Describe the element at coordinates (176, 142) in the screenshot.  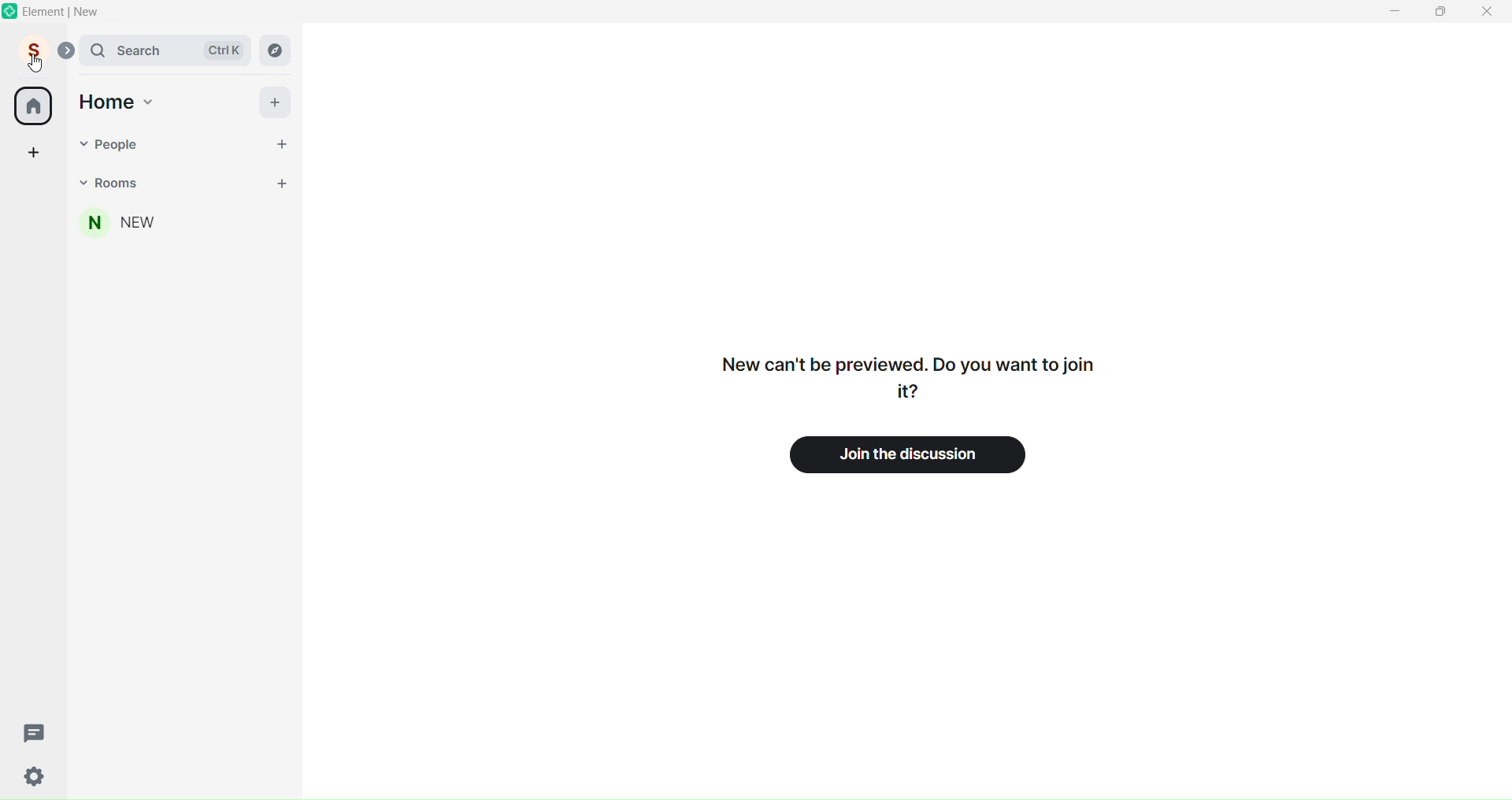
I see `People` at that location.